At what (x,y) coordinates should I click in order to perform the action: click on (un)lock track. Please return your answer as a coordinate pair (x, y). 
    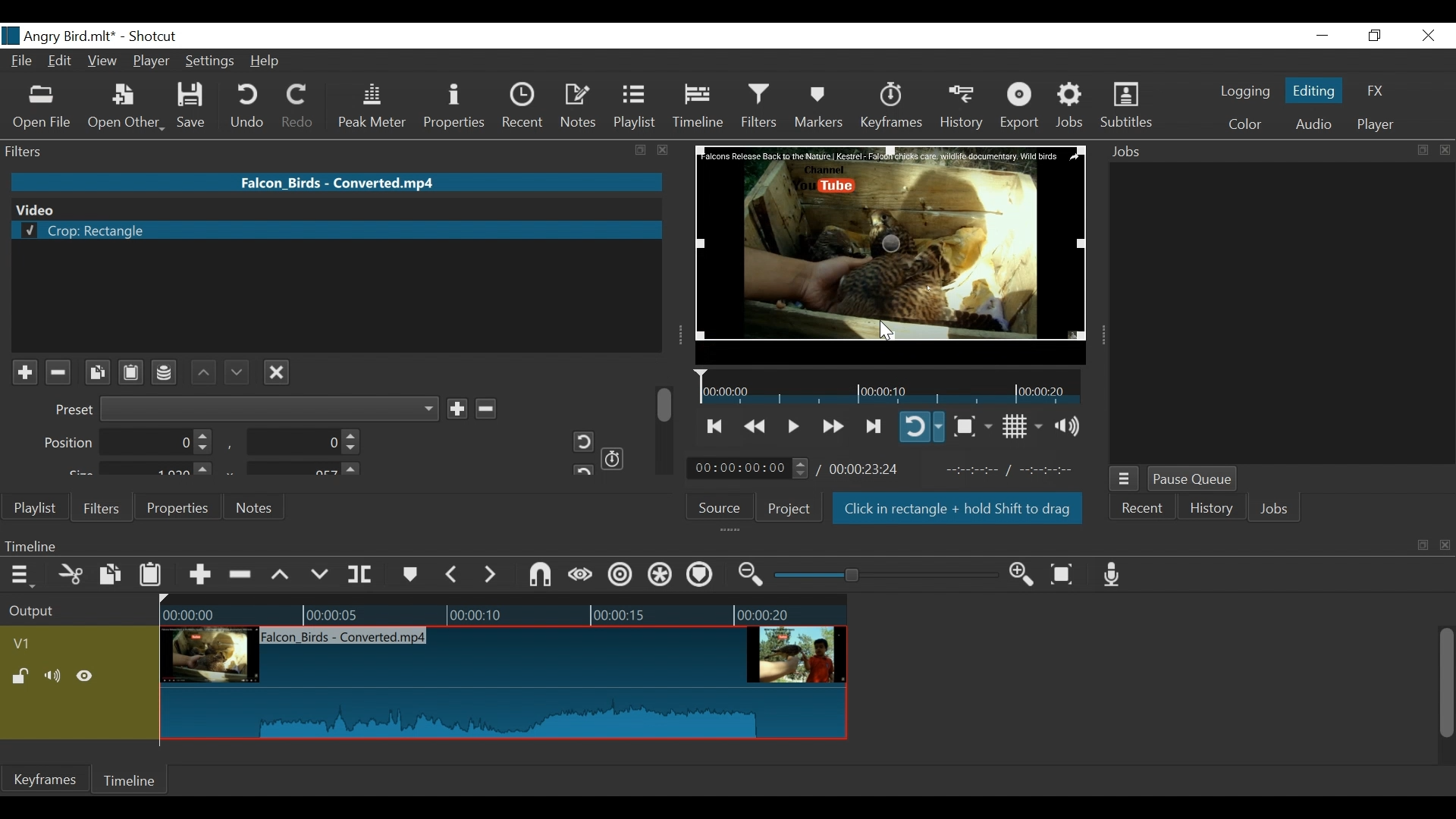
    Looking at the image, I should click on (24, 677).